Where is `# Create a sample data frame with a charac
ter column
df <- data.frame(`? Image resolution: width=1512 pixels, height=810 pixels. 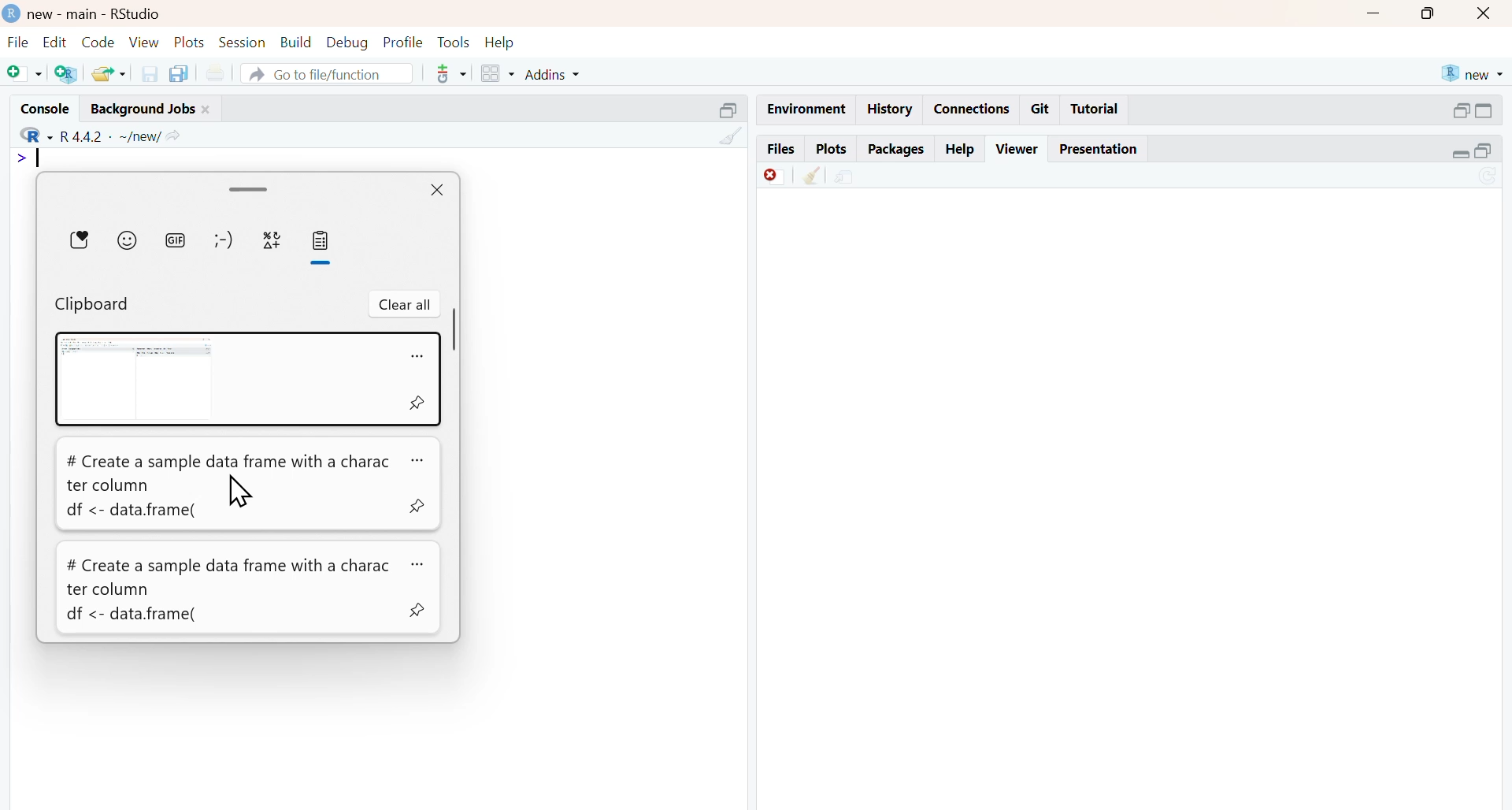 # Create a sample data frame with a charac
ter column
df <- data.frame( is located at coordinates (229, 591).